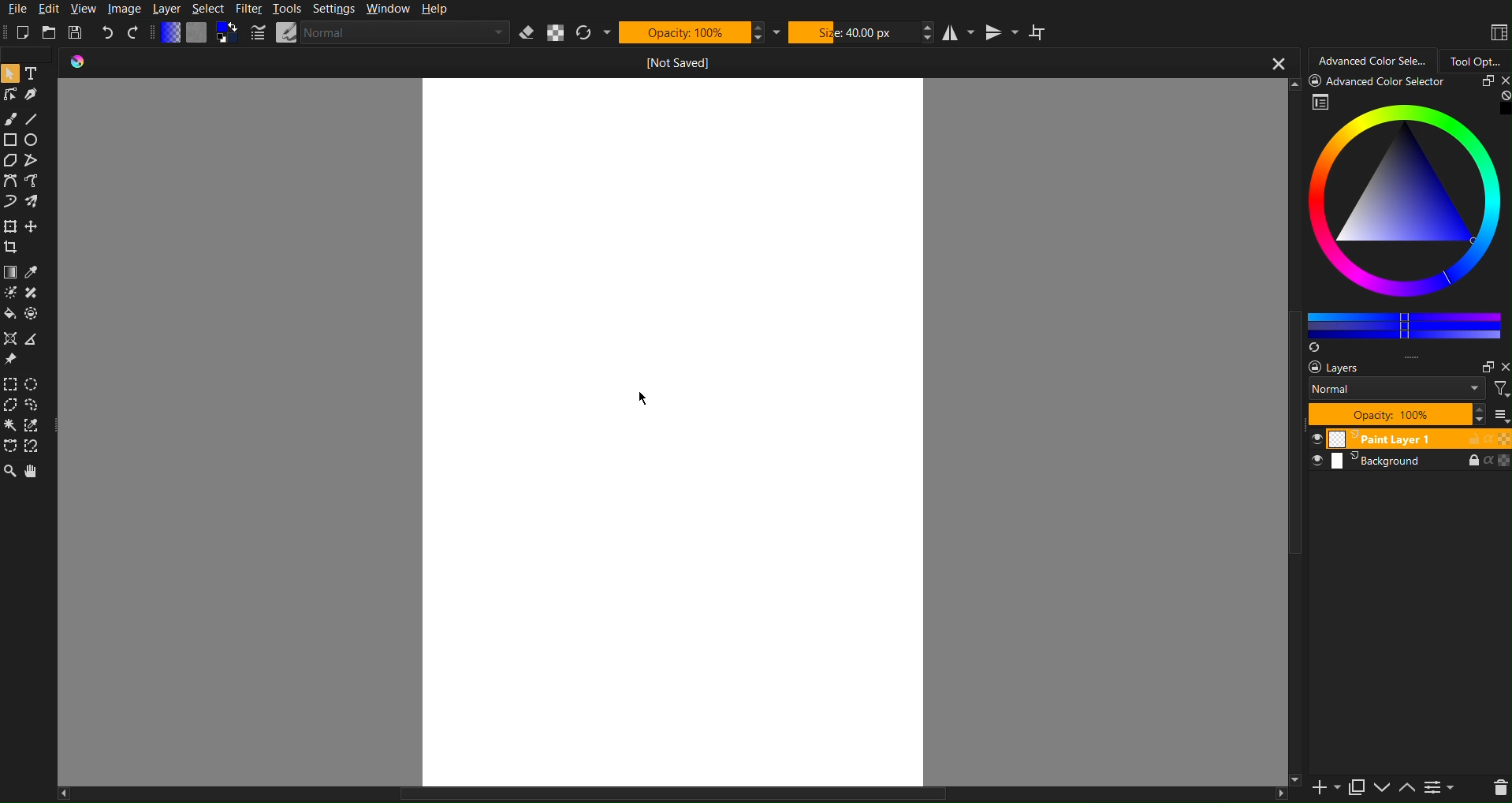 This screenshot has height=803, width=1512. What do you see at coordinates (1404, 415) in the screenshot?
I see `opacity 100%` at bounding box center [1404, 415].